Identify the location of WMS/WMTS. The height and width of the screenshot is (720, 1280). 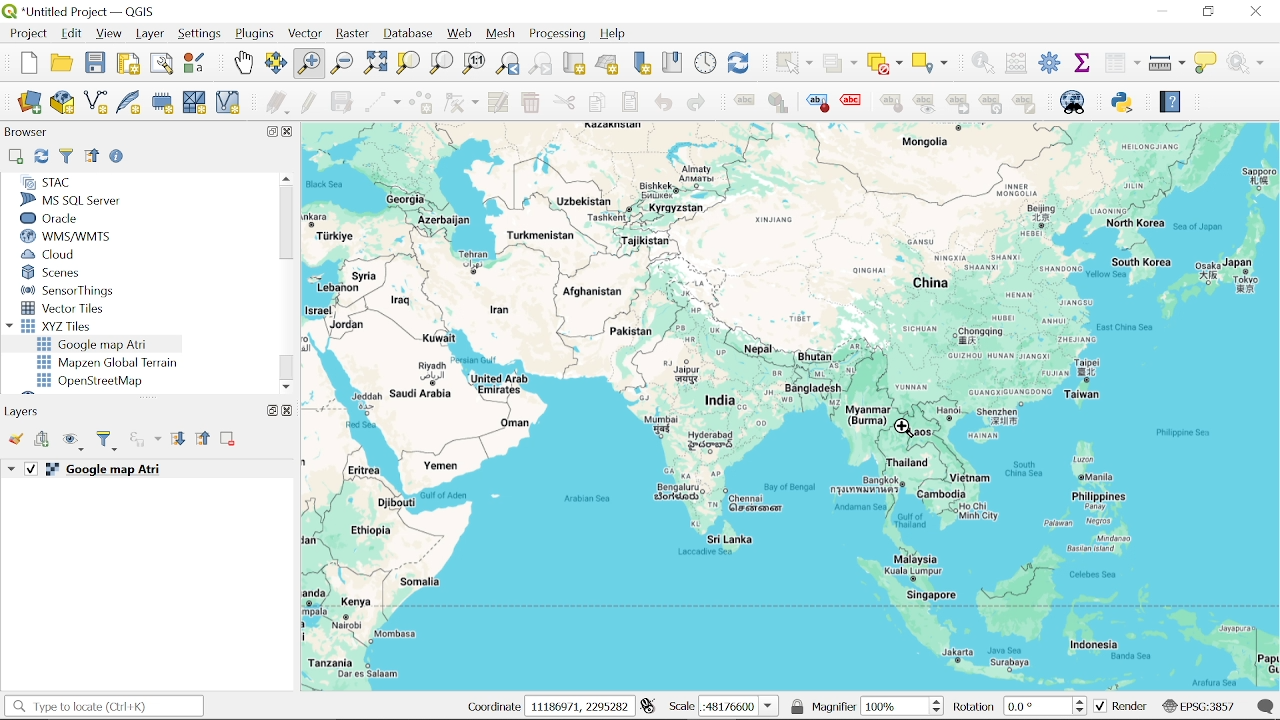
(66, 237).